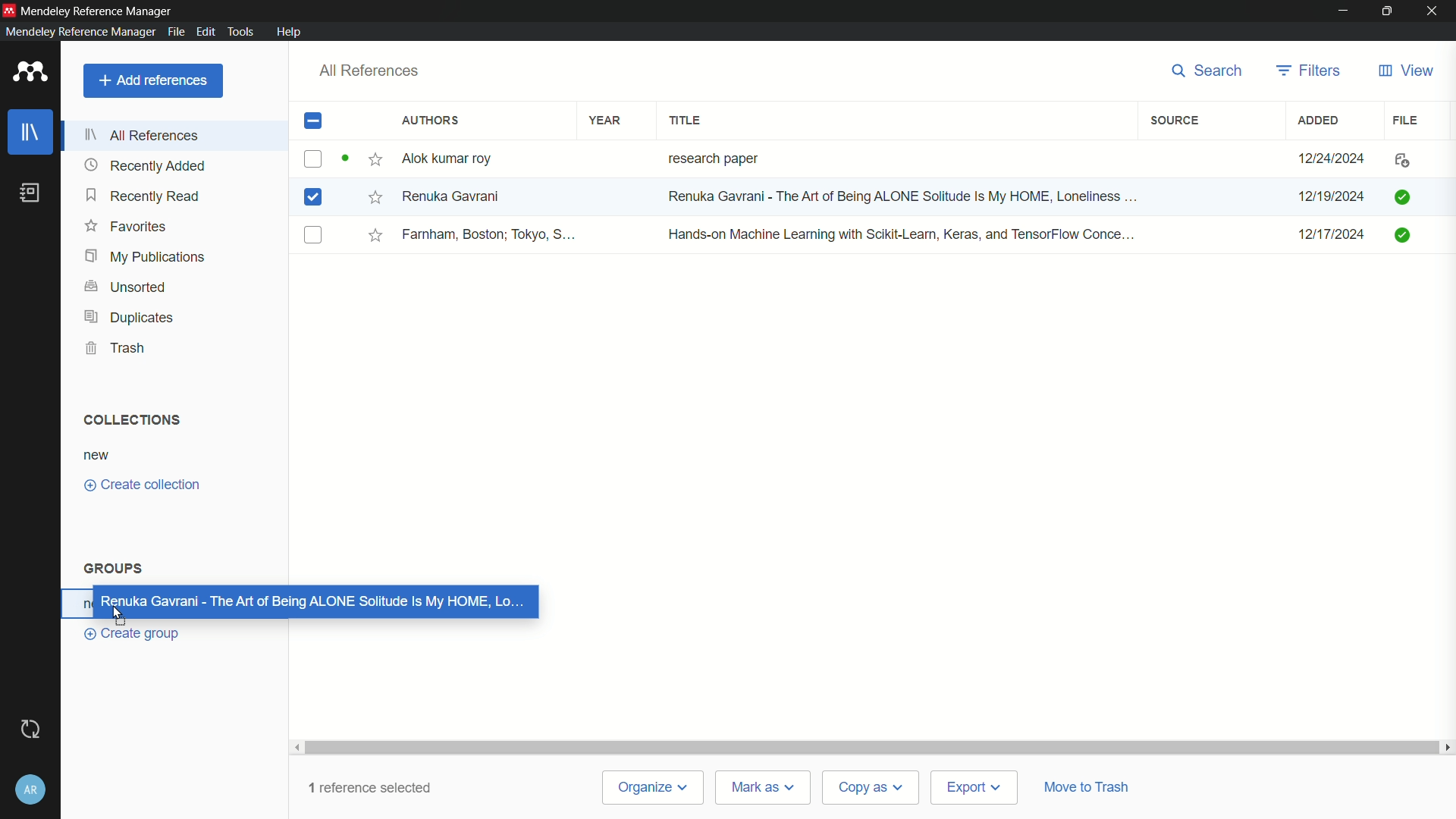  Describe the element at coordinates (1344, 10) in the screenshot. I see `minimize` at that location.